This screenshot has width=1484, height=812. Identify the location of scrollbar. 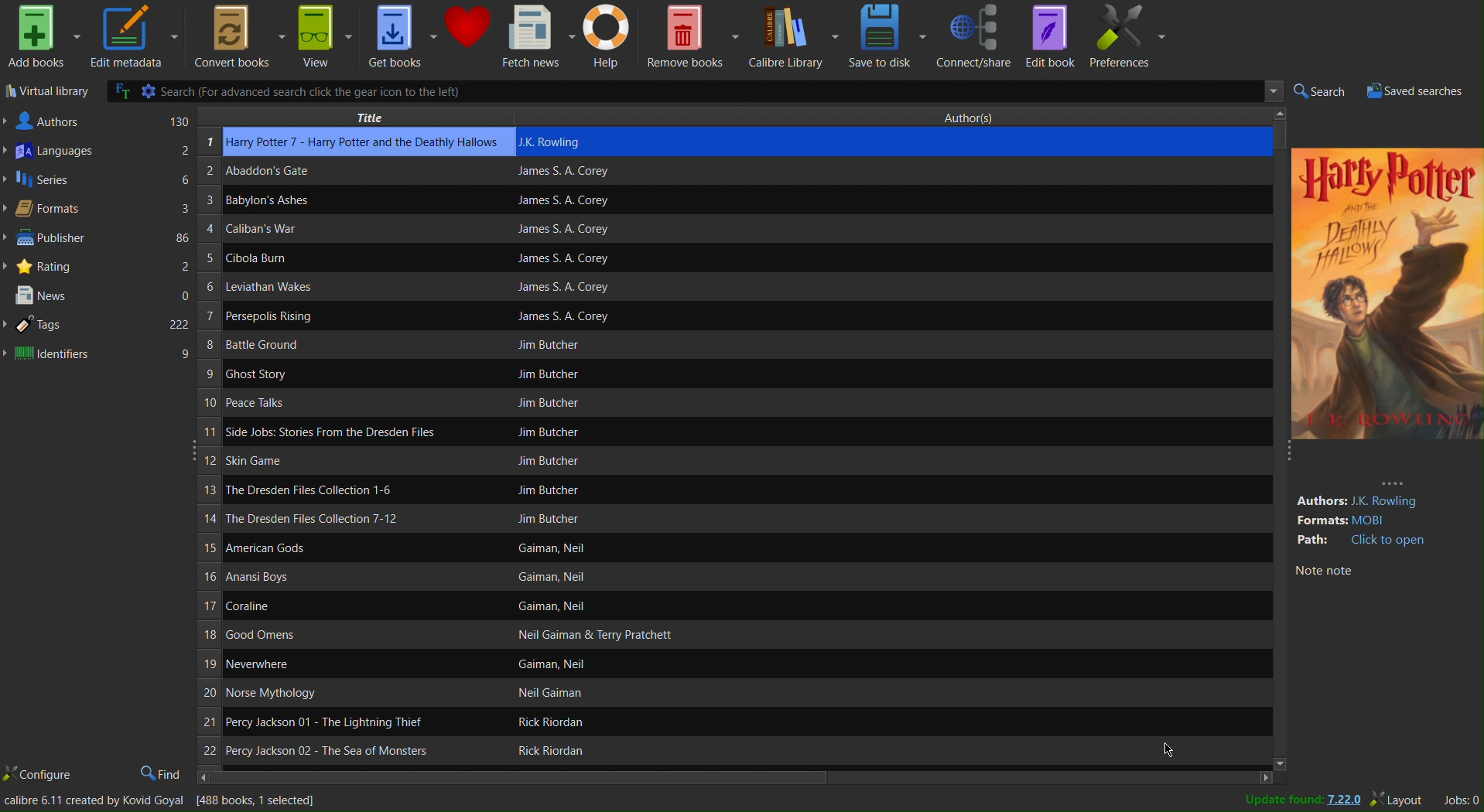
(1276, 441).